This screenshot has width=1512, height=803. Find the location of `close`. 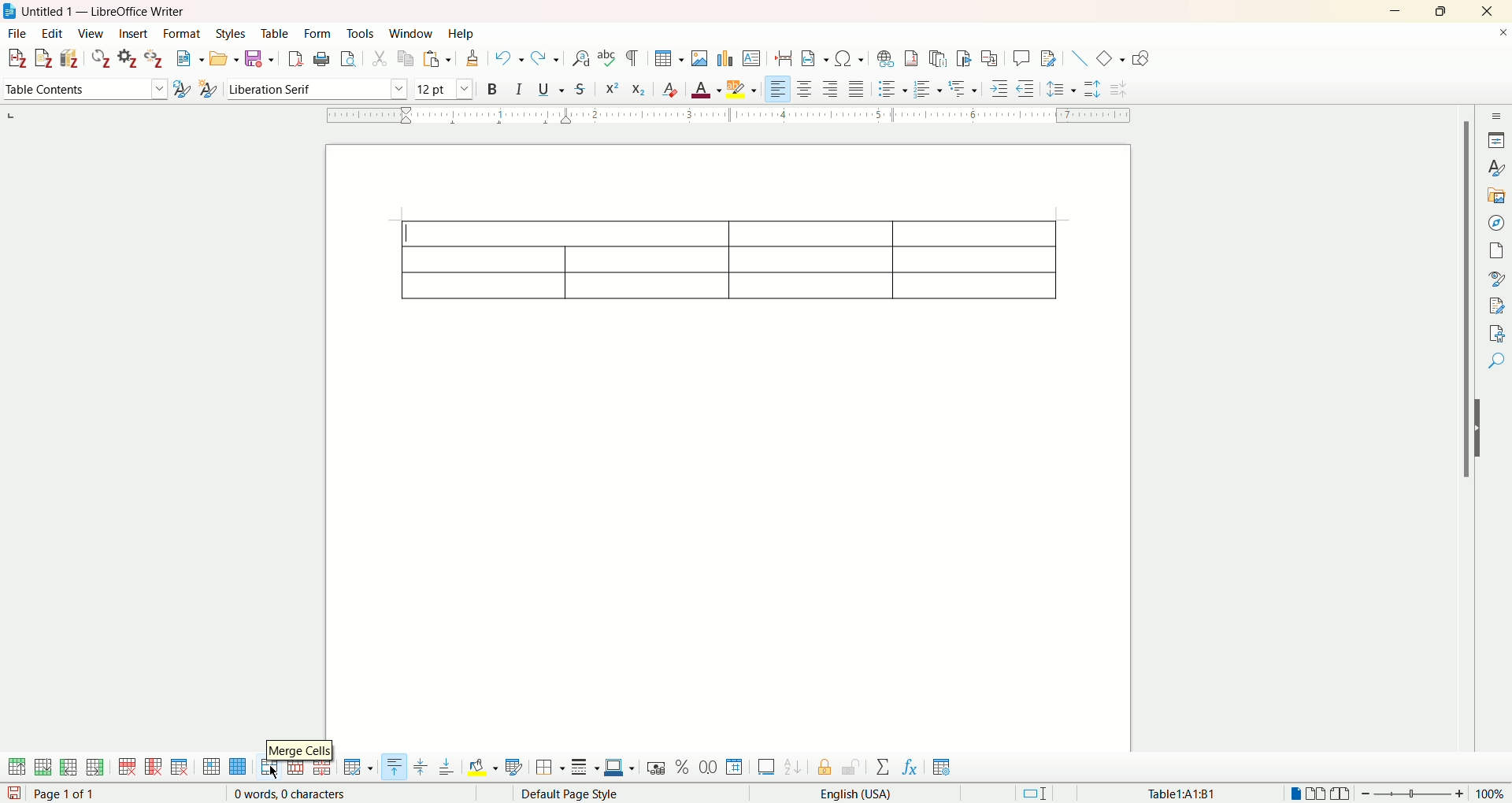

close is located at coordinates (1499, 33).